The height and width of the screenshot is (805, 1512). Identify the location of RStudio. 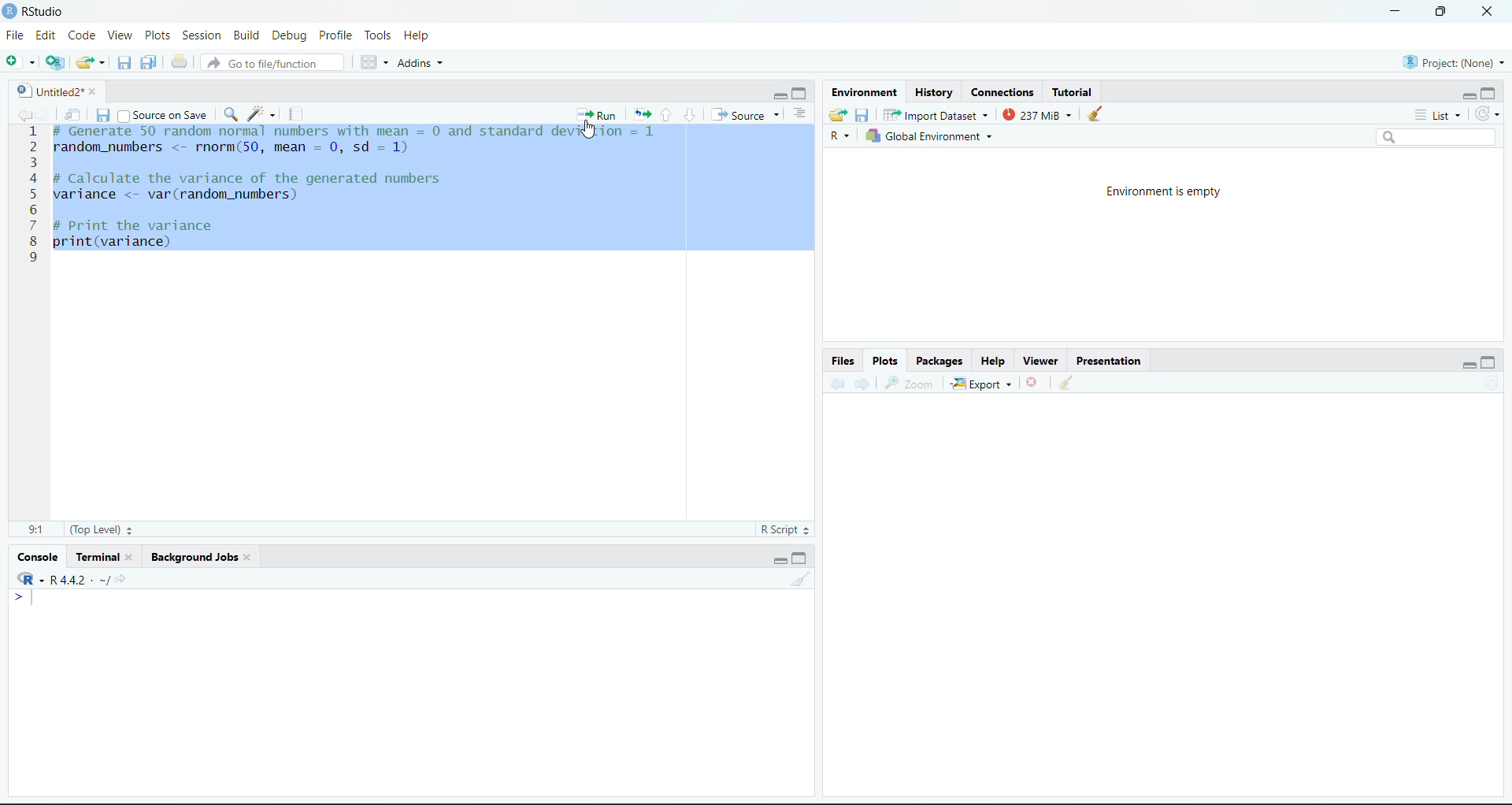
(44, 12).